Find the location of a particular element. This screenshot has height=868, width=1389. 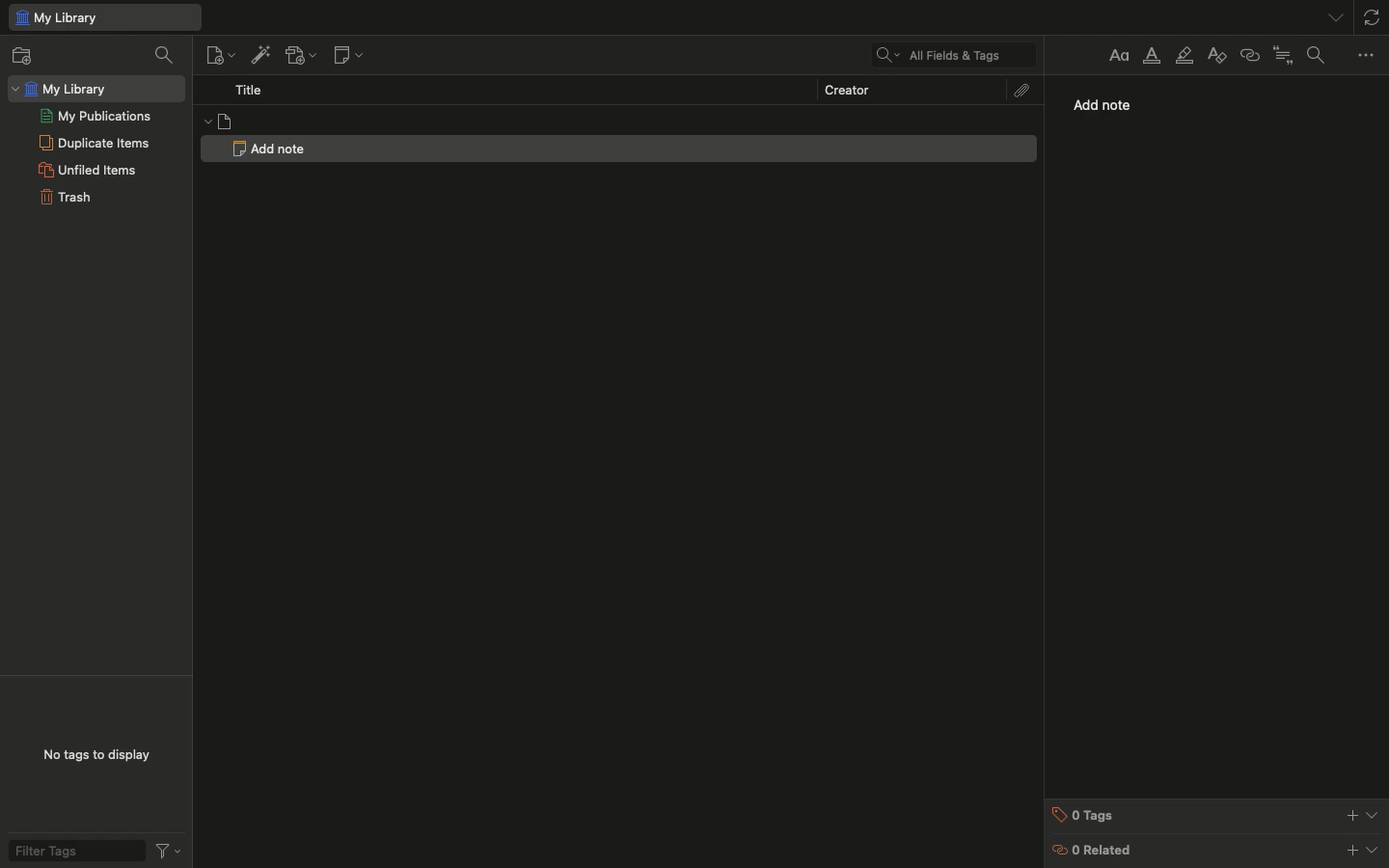

Attachments is located at coordinates (1023, 90).